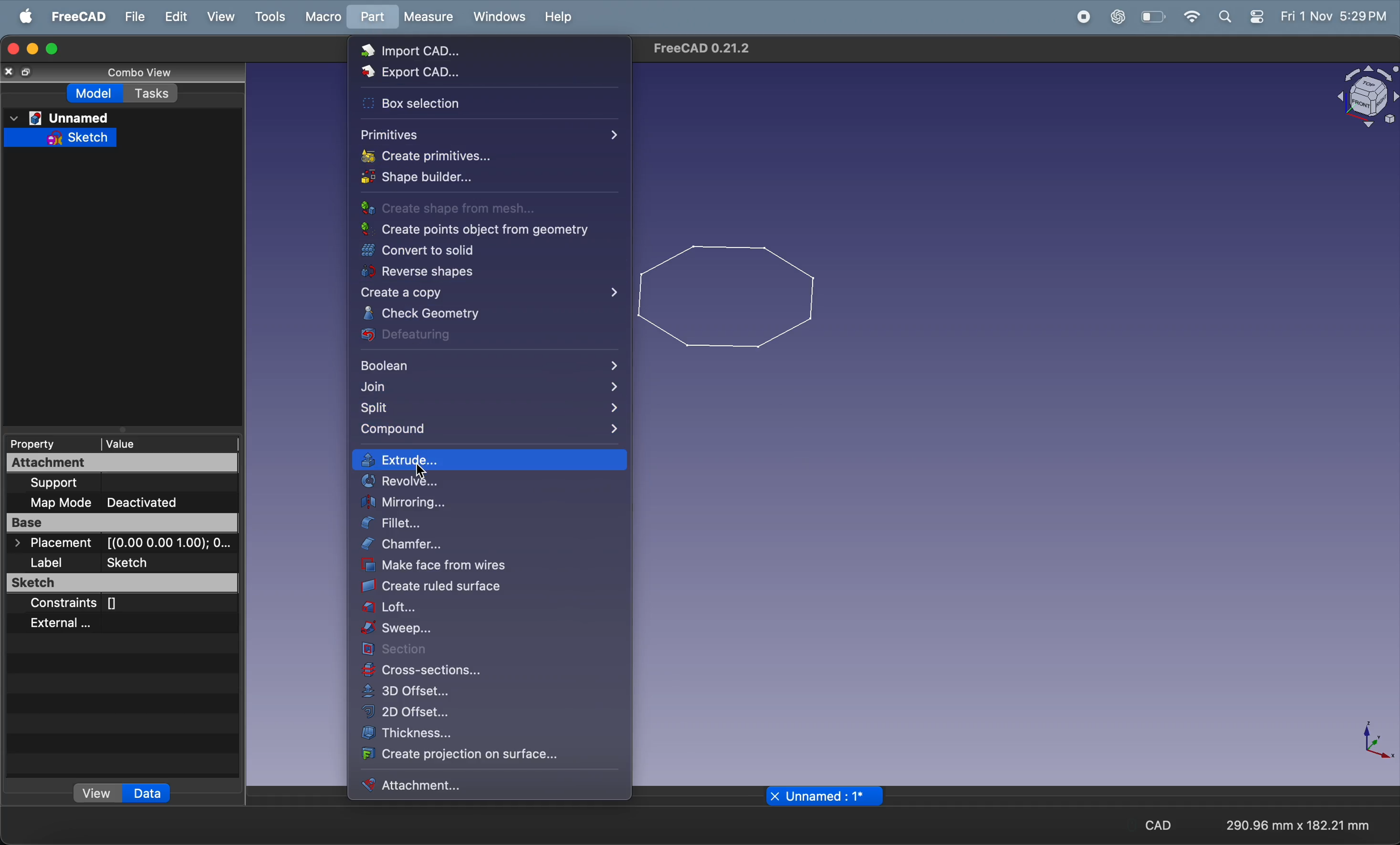 The height and width of the screenshot is (845, 1400). I want to click on cursor, so click(424, 467).